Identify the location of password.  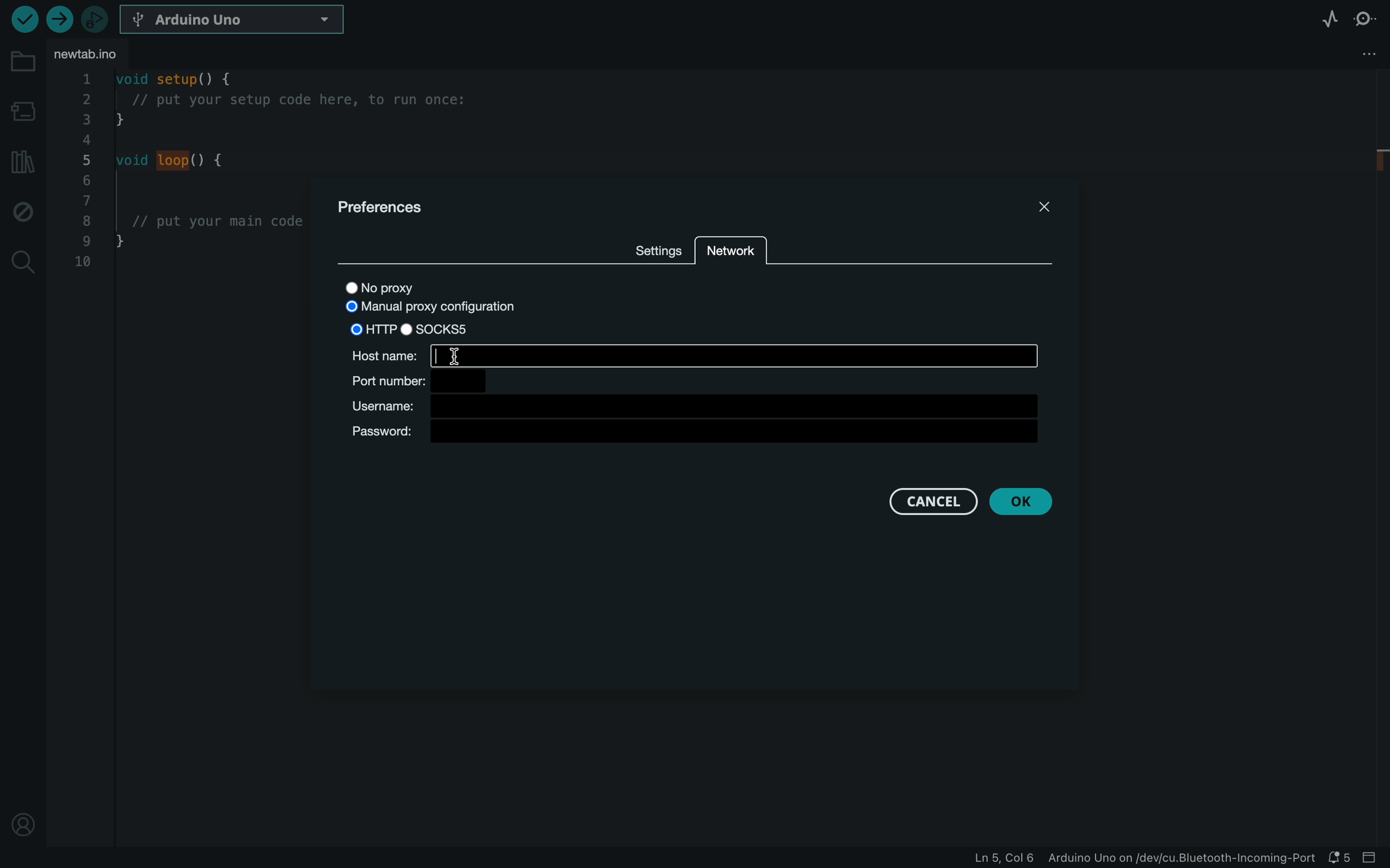
(698, 435).